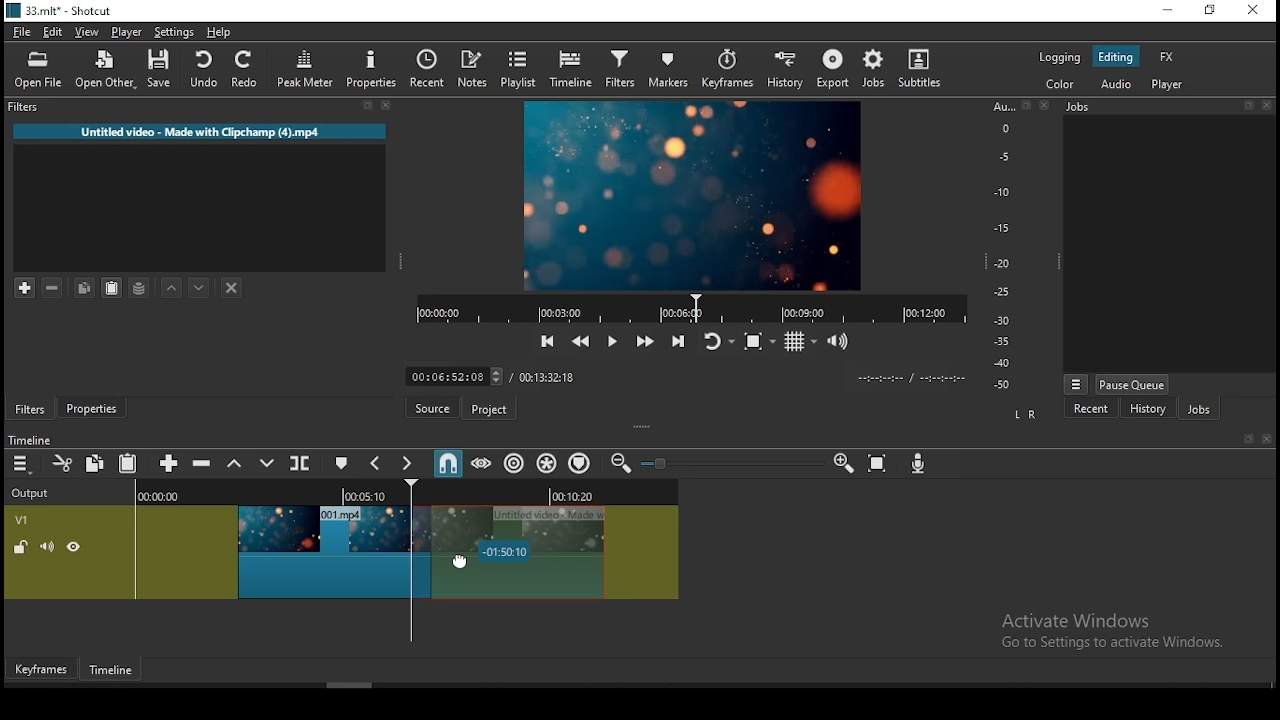  Describe the element at coordinates (1171, 108) in the screenshot. I see `Jobs` at that location.